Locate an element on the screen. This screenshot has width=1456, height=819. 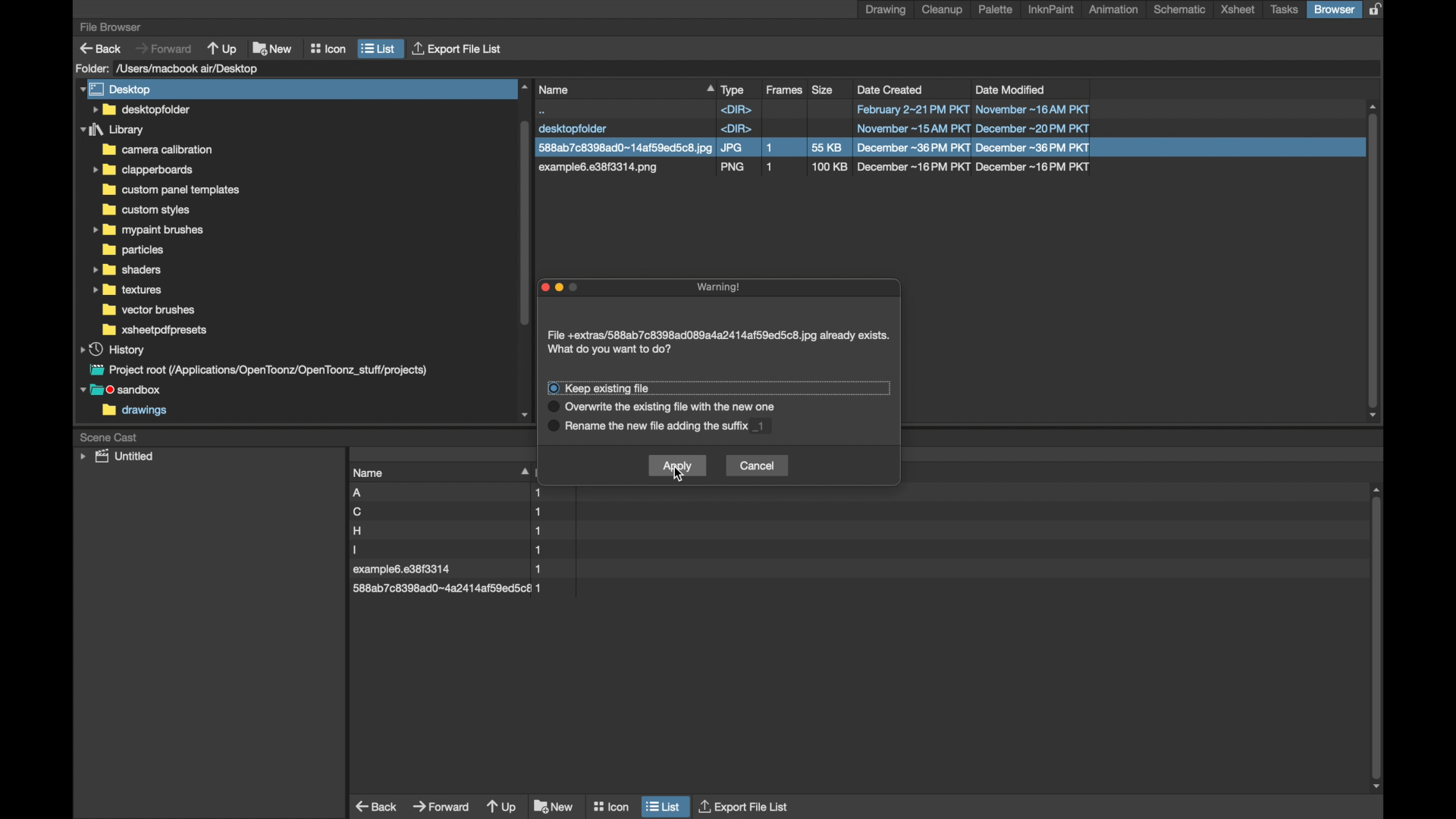
folder is located at coordinates (146, 231).